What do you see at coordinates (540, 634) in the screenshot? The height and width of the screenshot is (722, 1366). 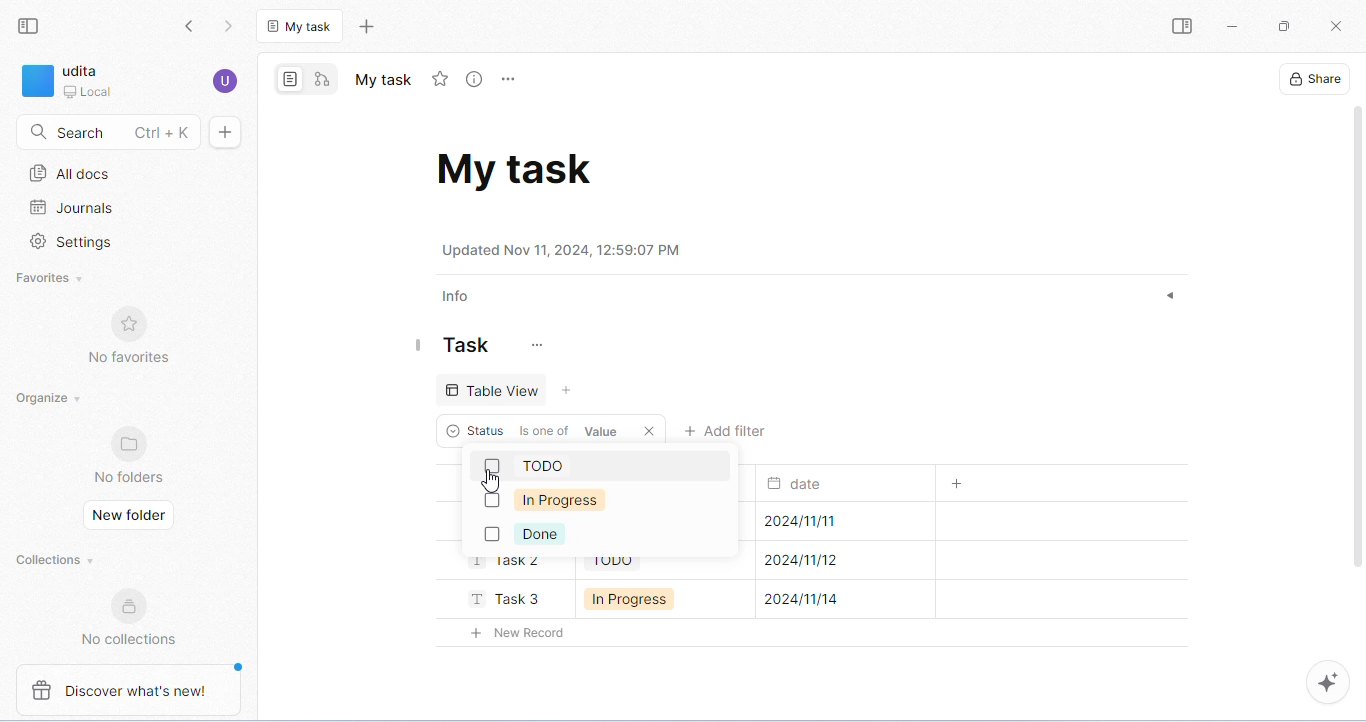 I see `new record` at bounding box center [540, 634].